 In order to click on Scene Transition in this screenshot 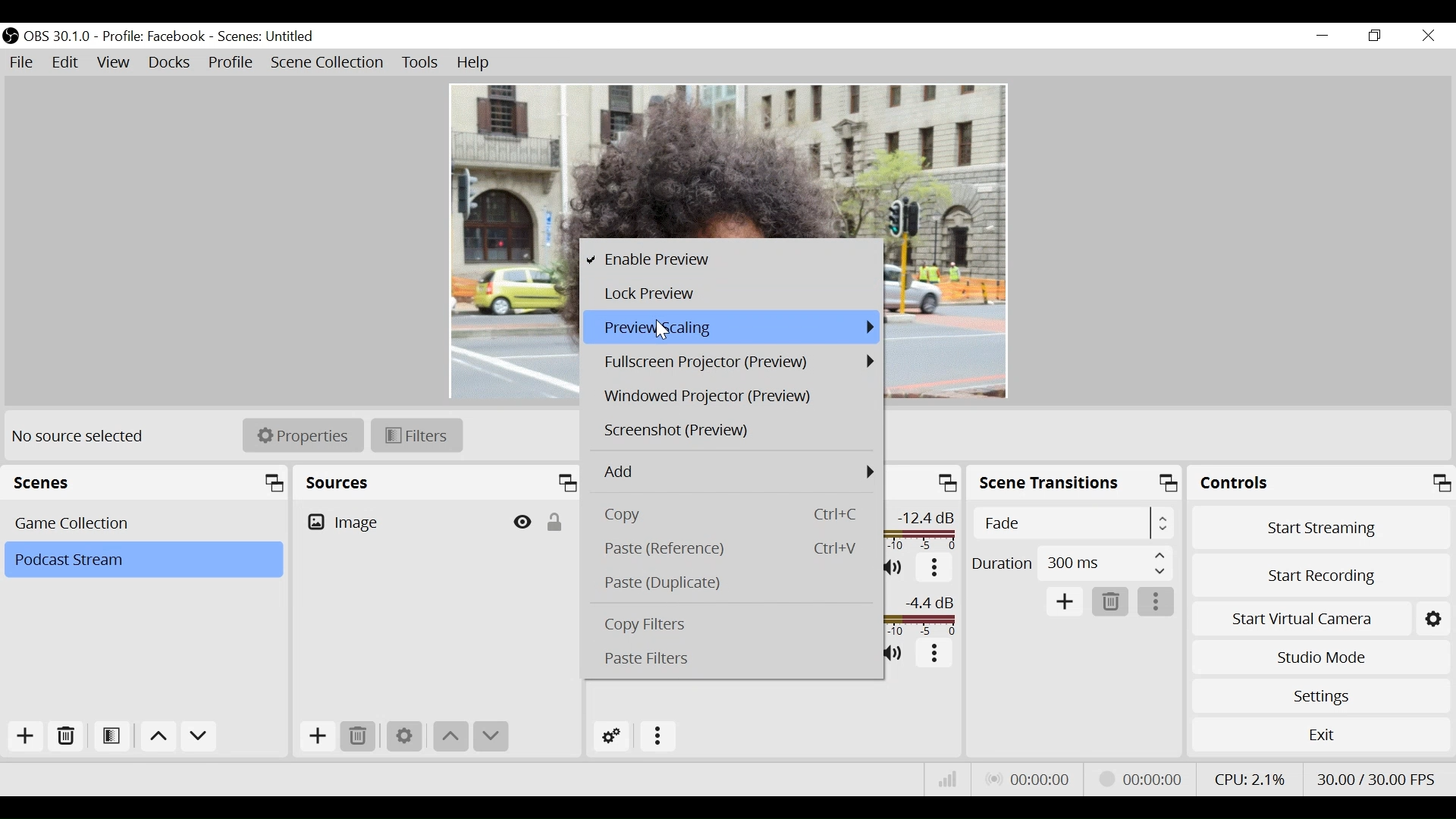, I will do `click(1076, 482)`.